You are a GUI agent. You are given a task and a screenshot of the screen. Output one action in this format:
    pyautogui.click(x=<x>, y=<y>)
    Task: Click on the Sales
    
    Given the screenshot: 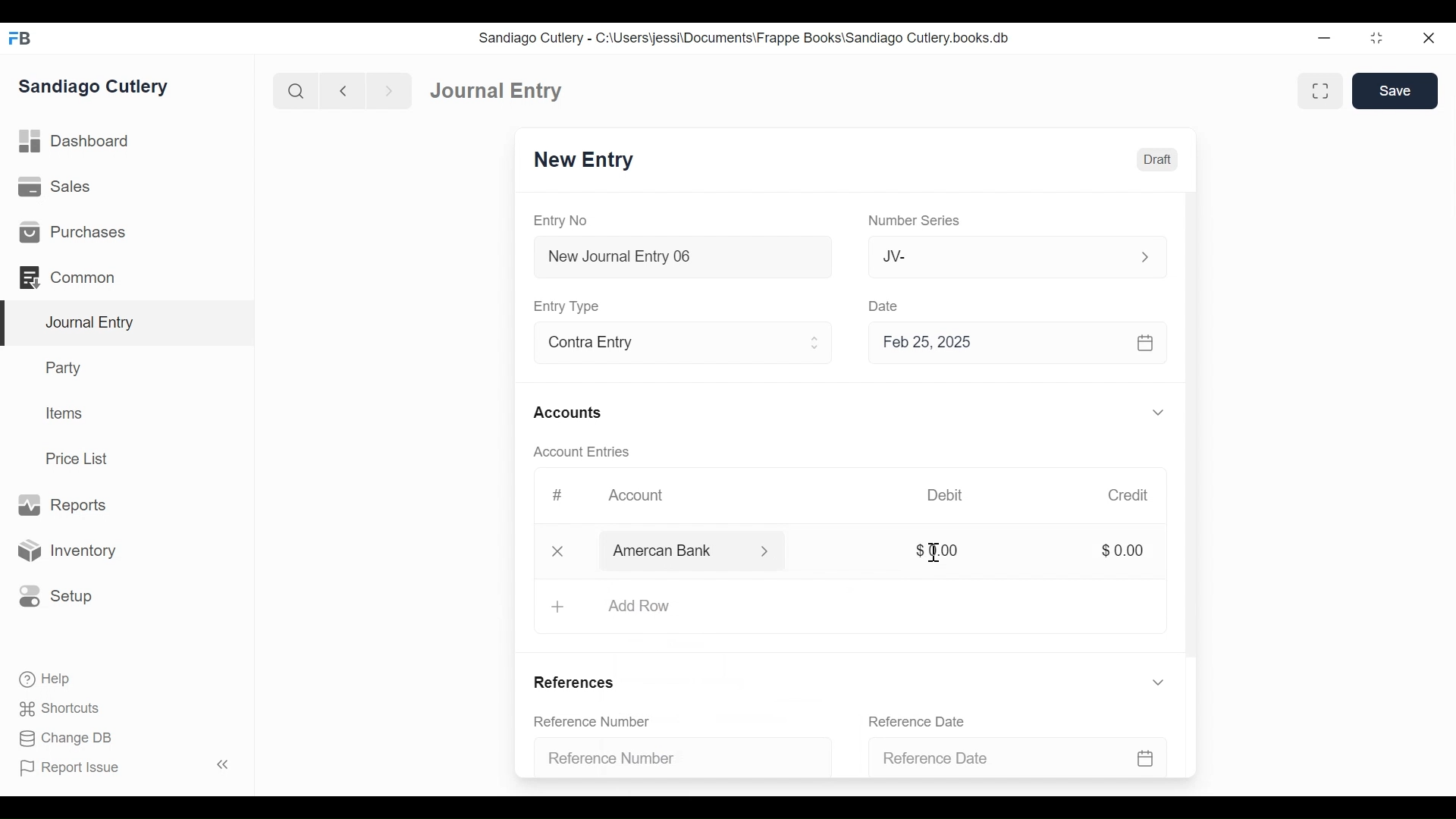 What is the action you would take?
    pyautogui.click(x=60, y=187)
    